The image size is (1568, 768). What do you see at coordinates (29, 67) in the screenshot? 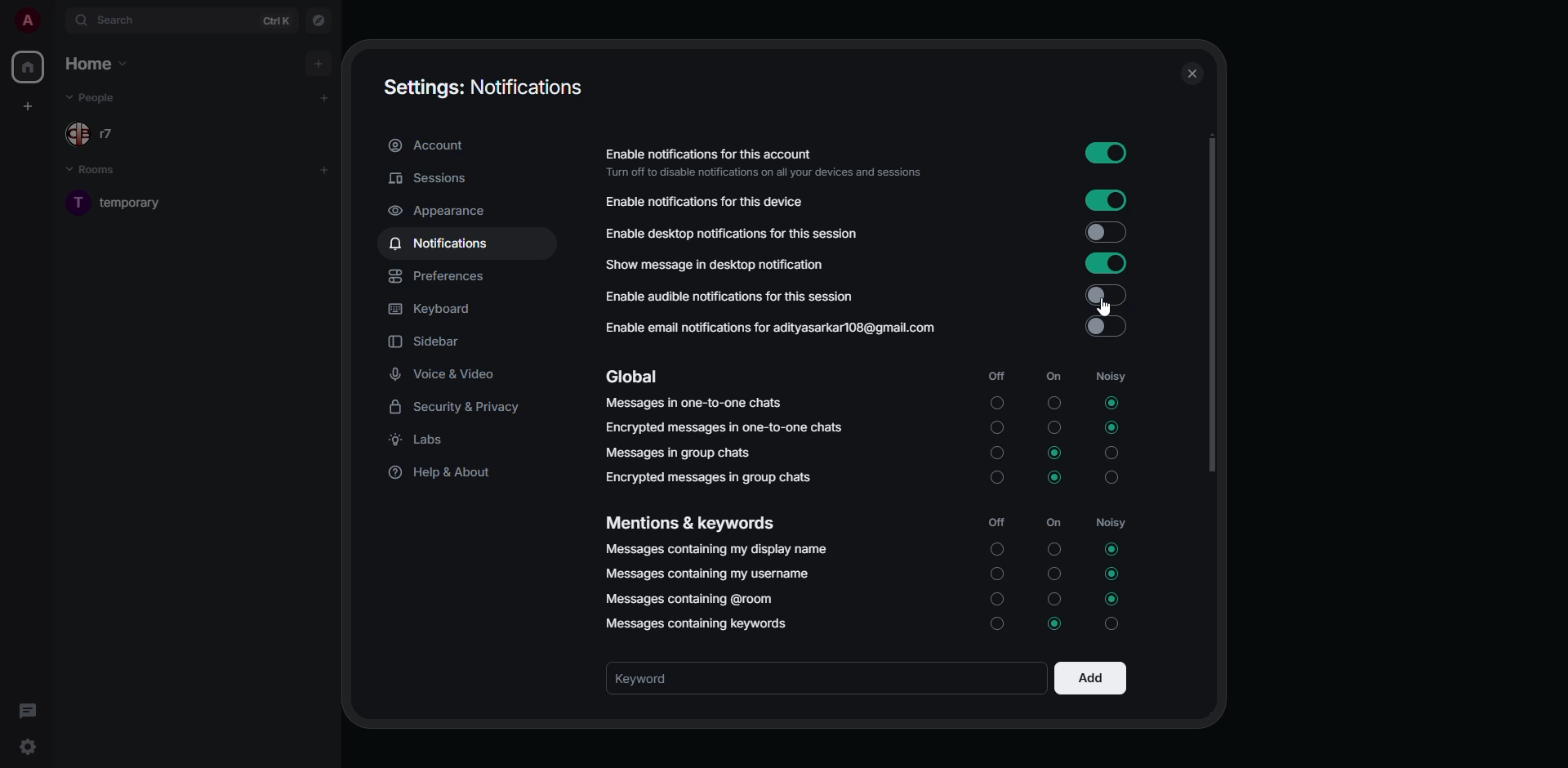
I see `home` at bounding box center [29, 67].